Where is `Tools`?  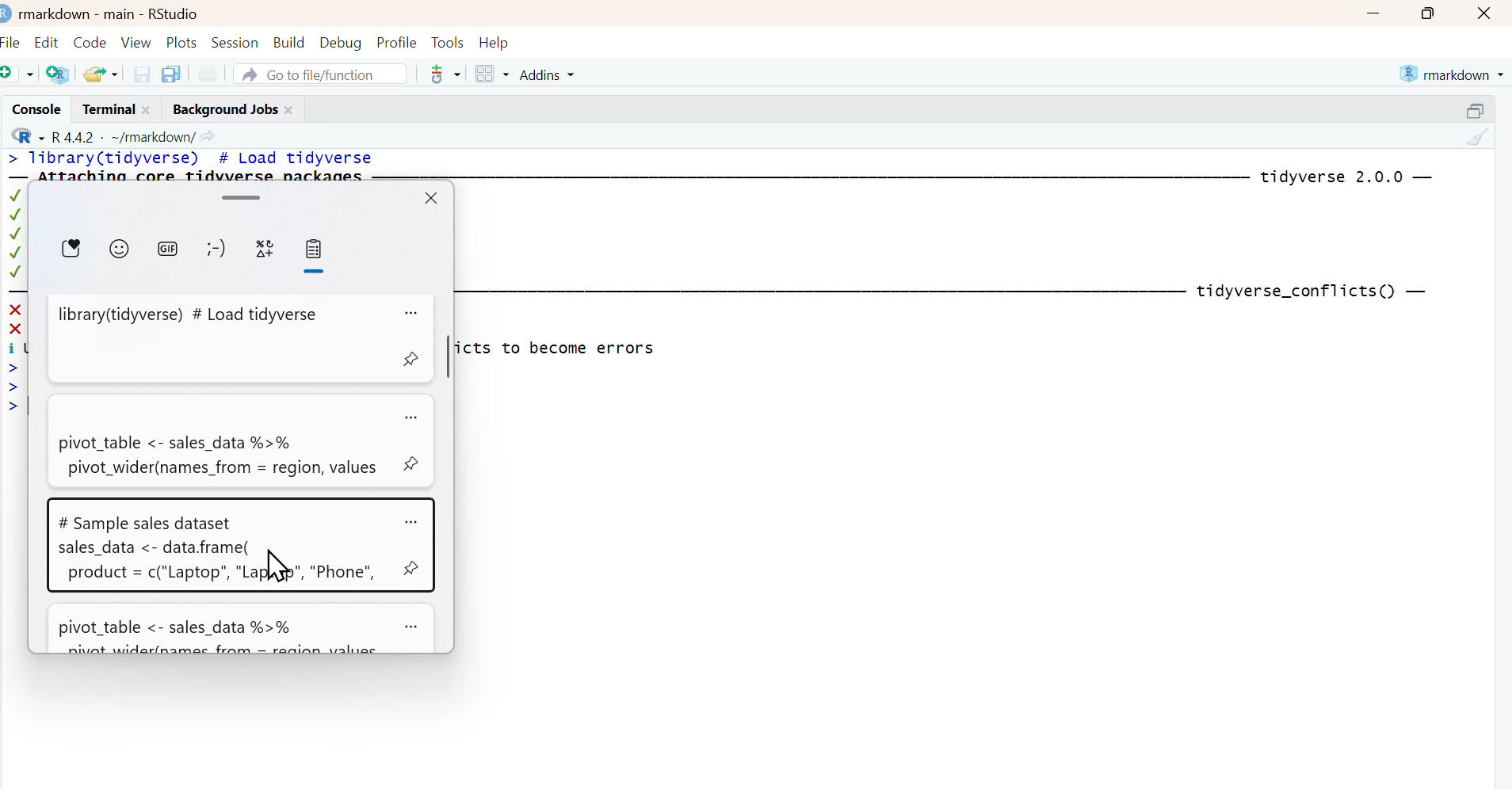
Tools is located at coordinates (447, 40).